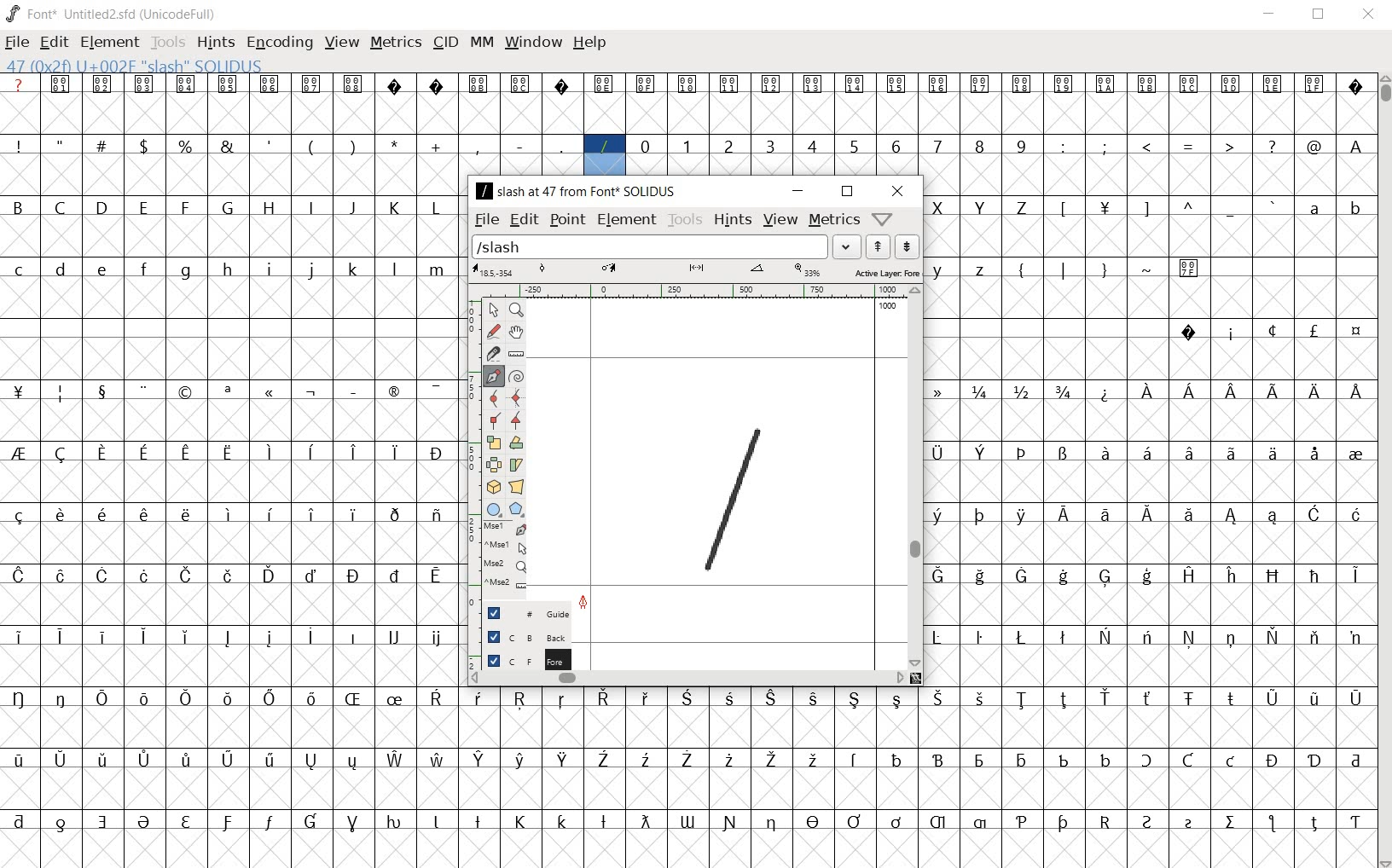 The width and height of the screenshot is (1392, 868). Describe the element at coordinates (685, 819) in the screenshot. I see `` at that location.